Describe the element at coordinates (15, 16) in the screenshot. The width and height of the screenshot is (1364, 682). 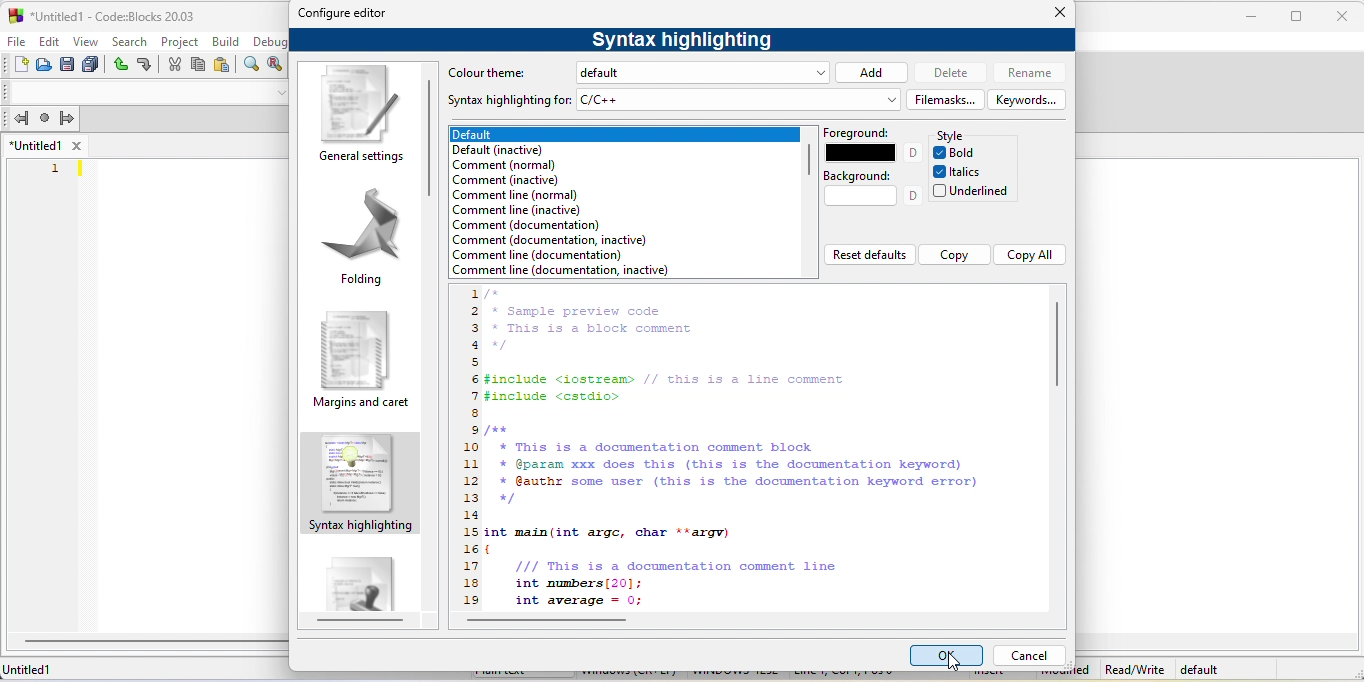
I see `logo` at that location.